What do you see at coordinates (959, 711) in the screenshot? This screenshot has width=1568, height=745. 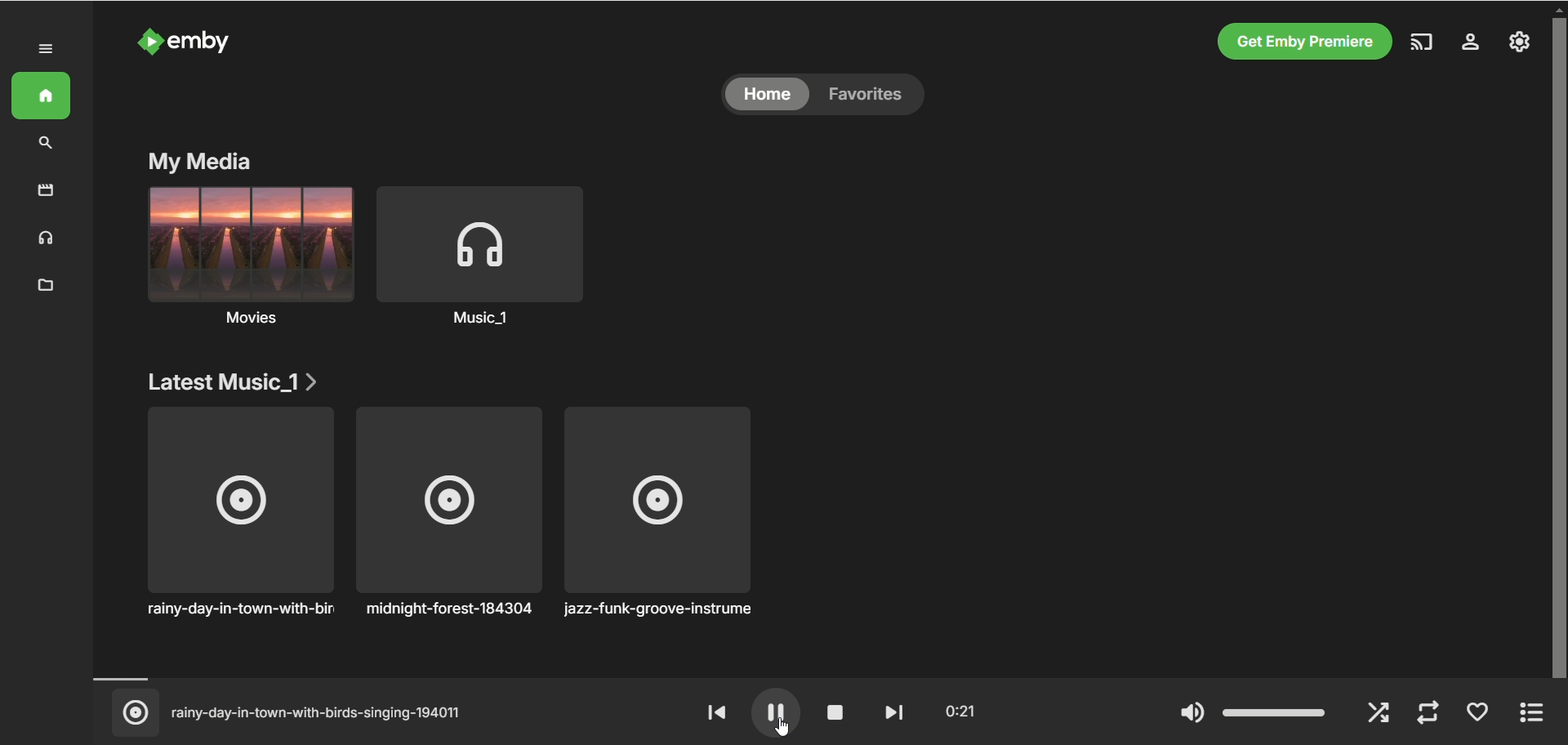 I see `played time` at bounding box center [959, 711].